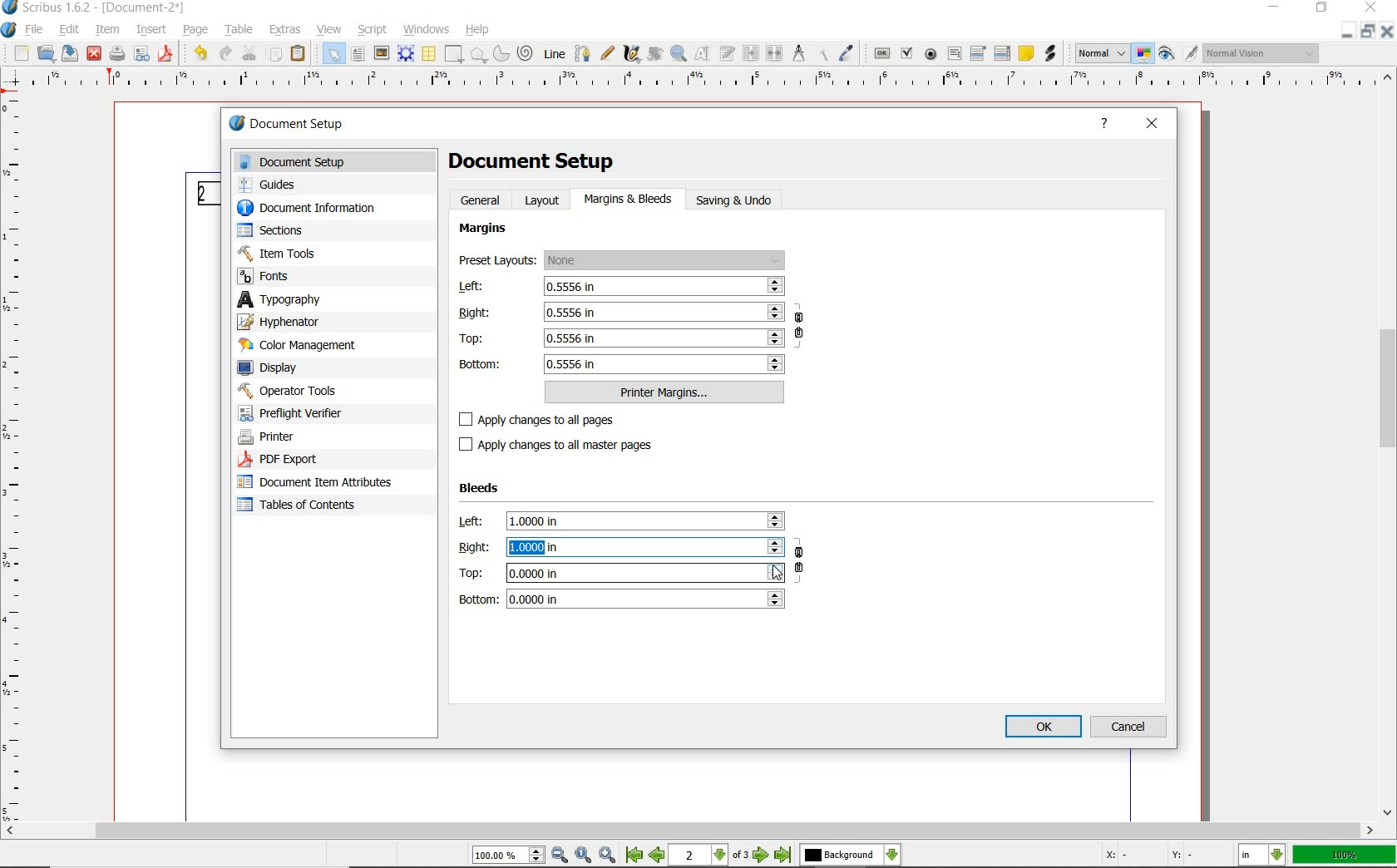 This screenshot has width=1397, height=868. I want to click on save, so click(70, 54).